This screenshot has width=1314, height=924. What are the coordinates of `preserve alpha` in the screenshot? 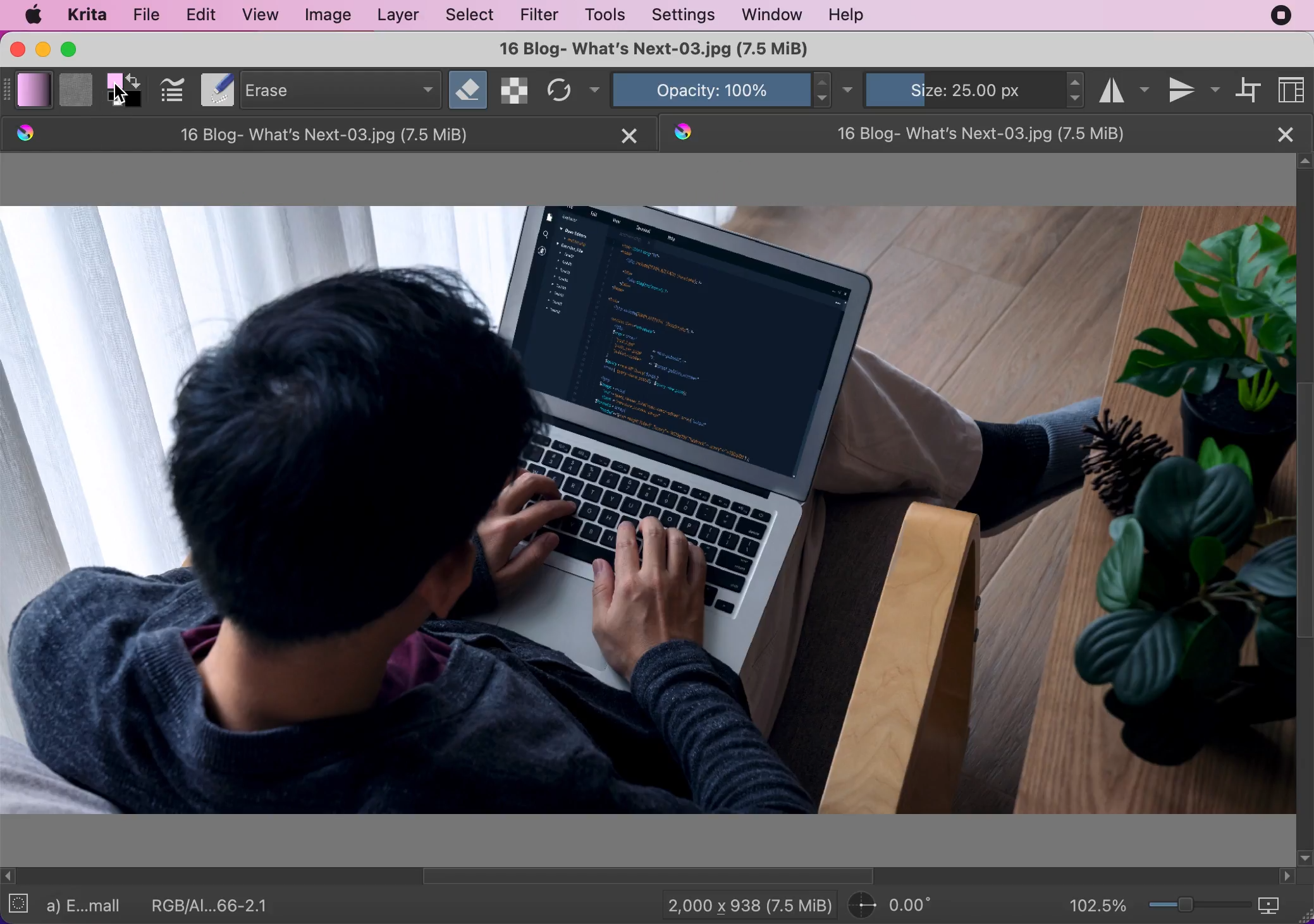 It's located at (512, 90).